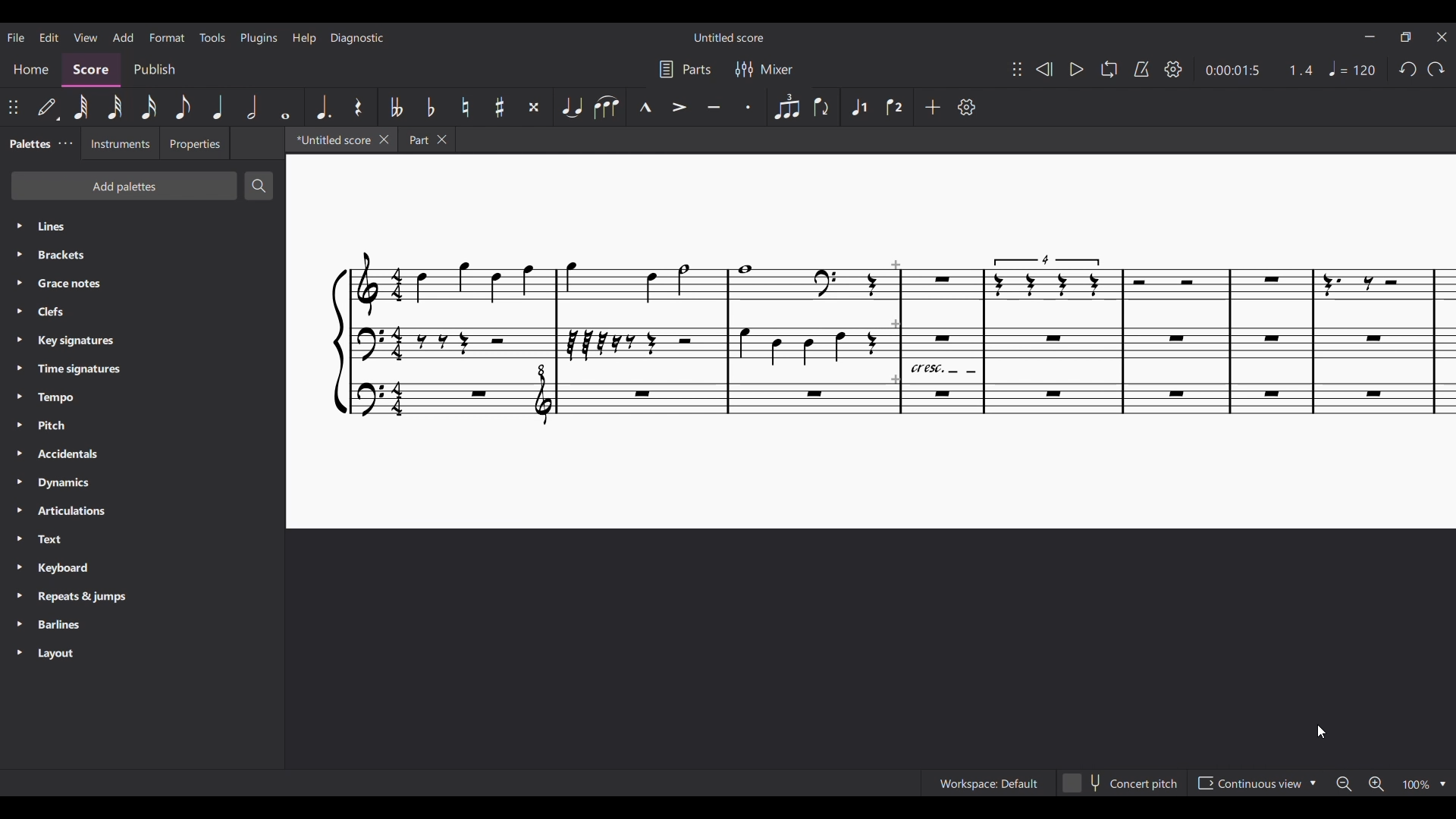 This screenshot has height=819, width=1456. I want to click on Add menu, so click(124, 37).